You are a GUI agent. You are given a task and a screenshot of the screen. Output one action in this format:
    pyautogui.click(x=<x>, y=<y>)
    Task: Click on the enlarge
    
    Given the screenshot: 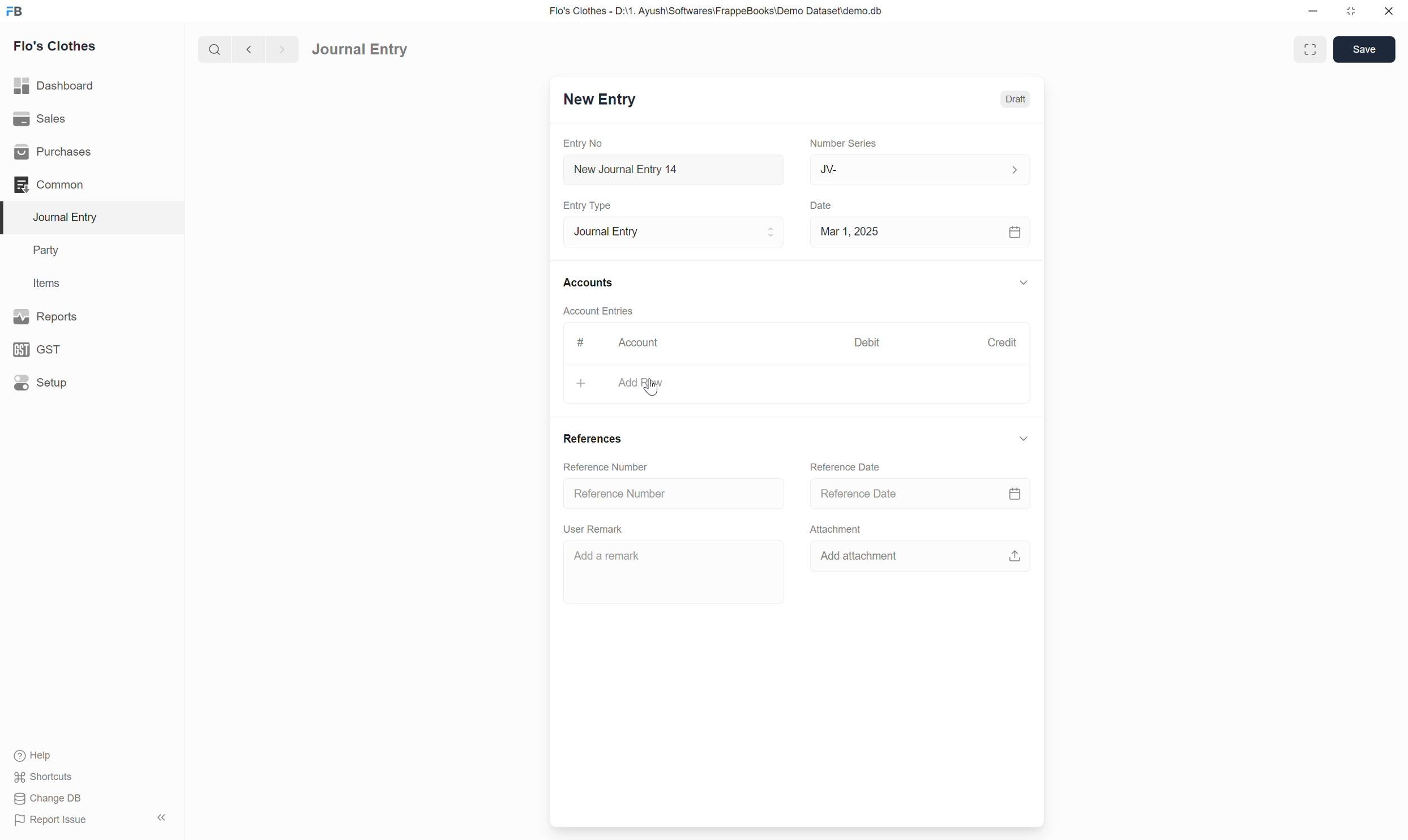 What is the action you would take?
    pyautogui.click(x=1312, y=48)
    